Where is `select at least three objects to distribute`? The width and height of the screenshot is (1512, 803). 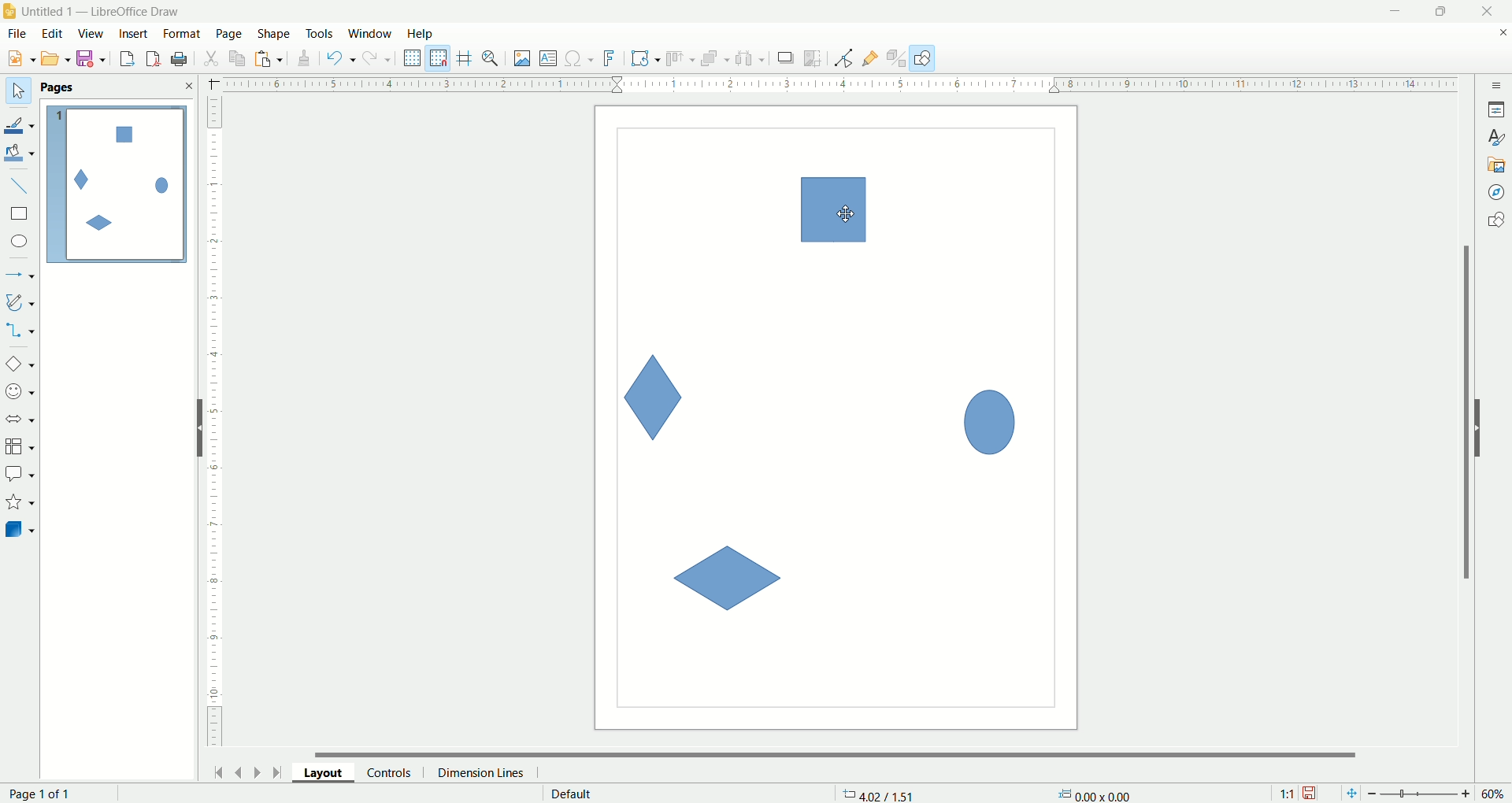 select at least three objects to distribute is located at coordinates (751, 58).